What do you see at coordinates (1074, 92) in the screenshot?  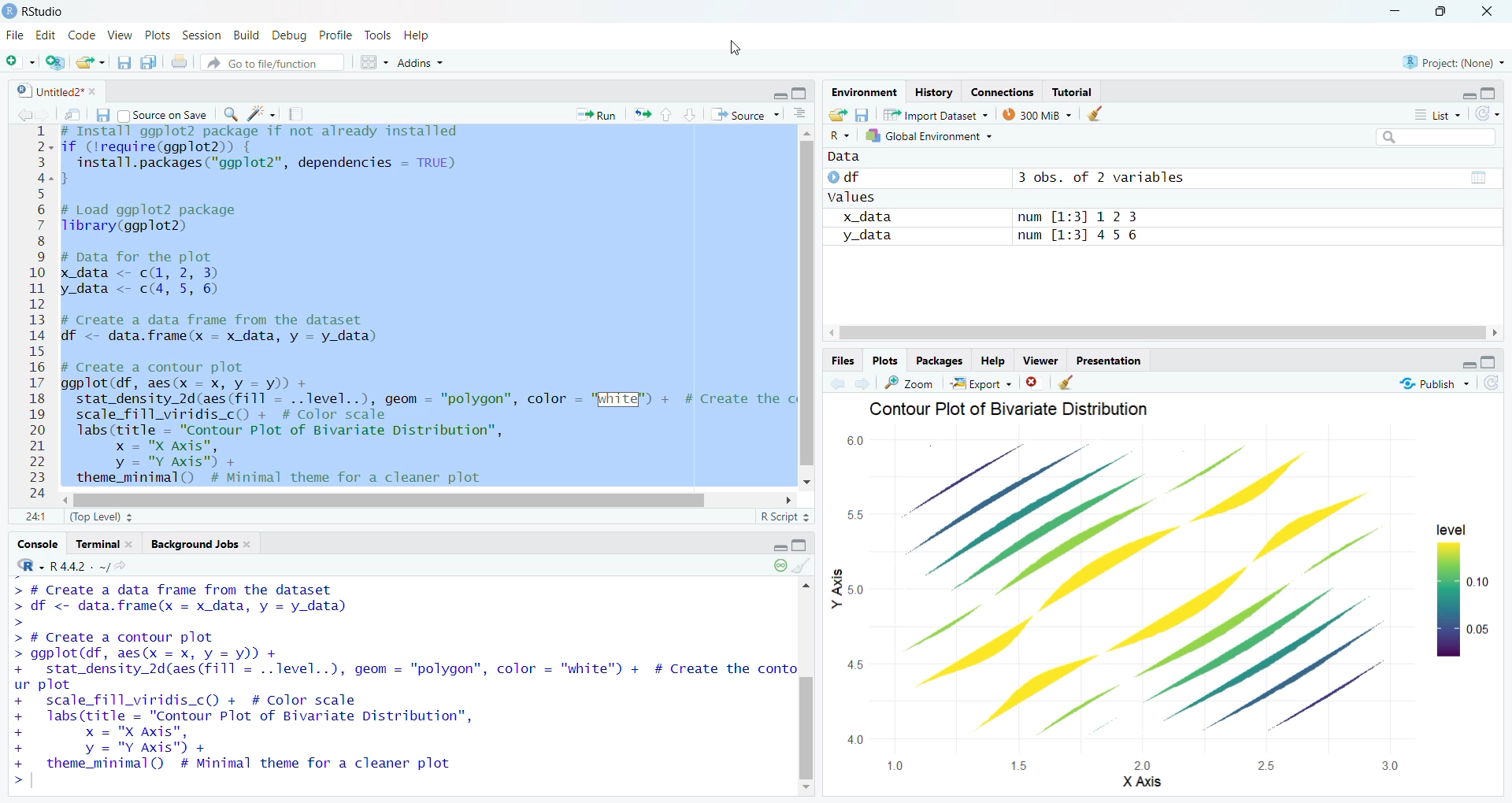 I see `Tutorial` at bounding box center [1074, 92].